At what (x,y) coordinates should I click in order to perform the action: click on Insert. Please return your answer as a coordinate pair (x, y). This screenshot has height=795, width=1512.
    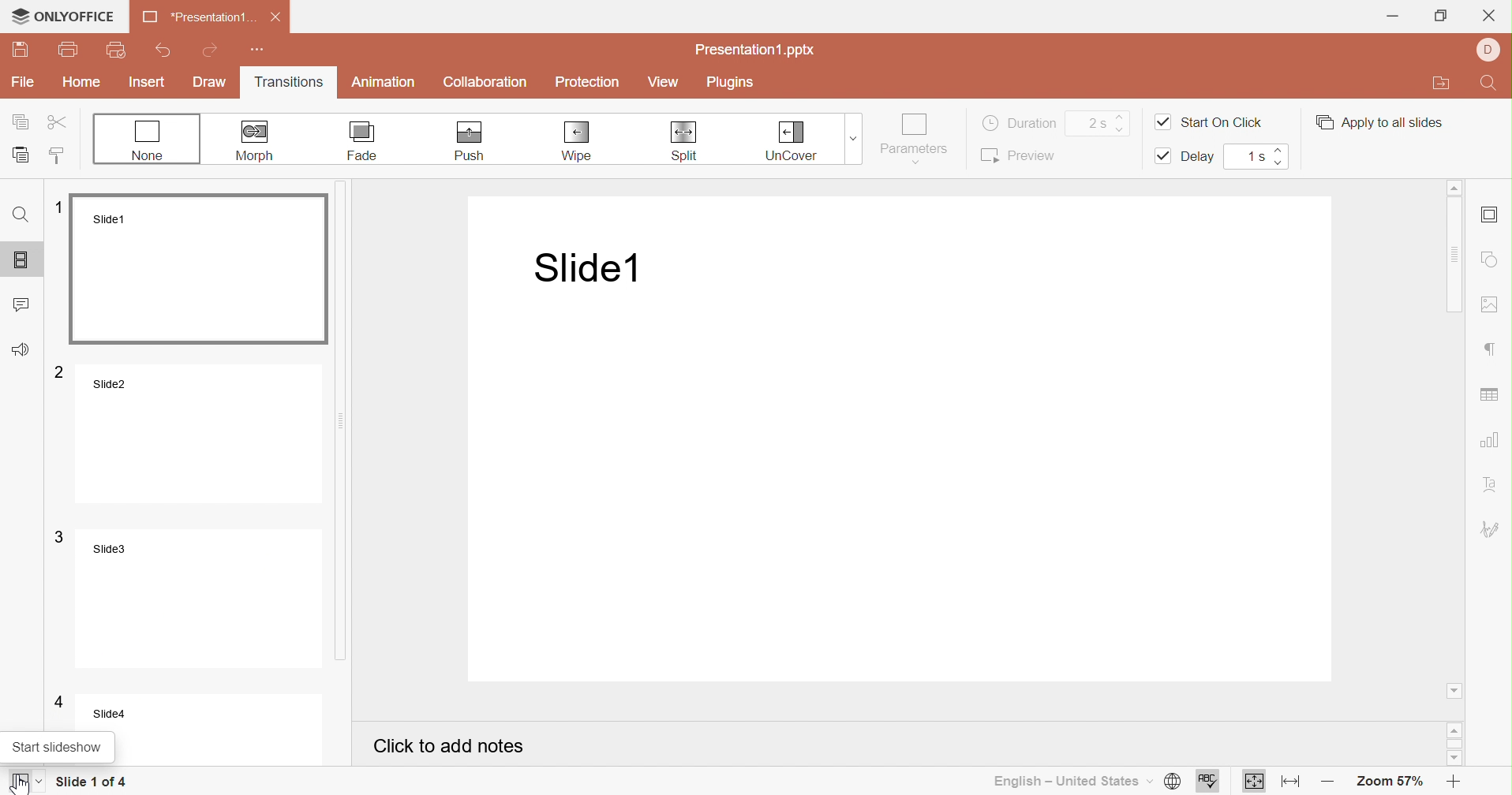
    Looking at the image, I should click on (148, 82).